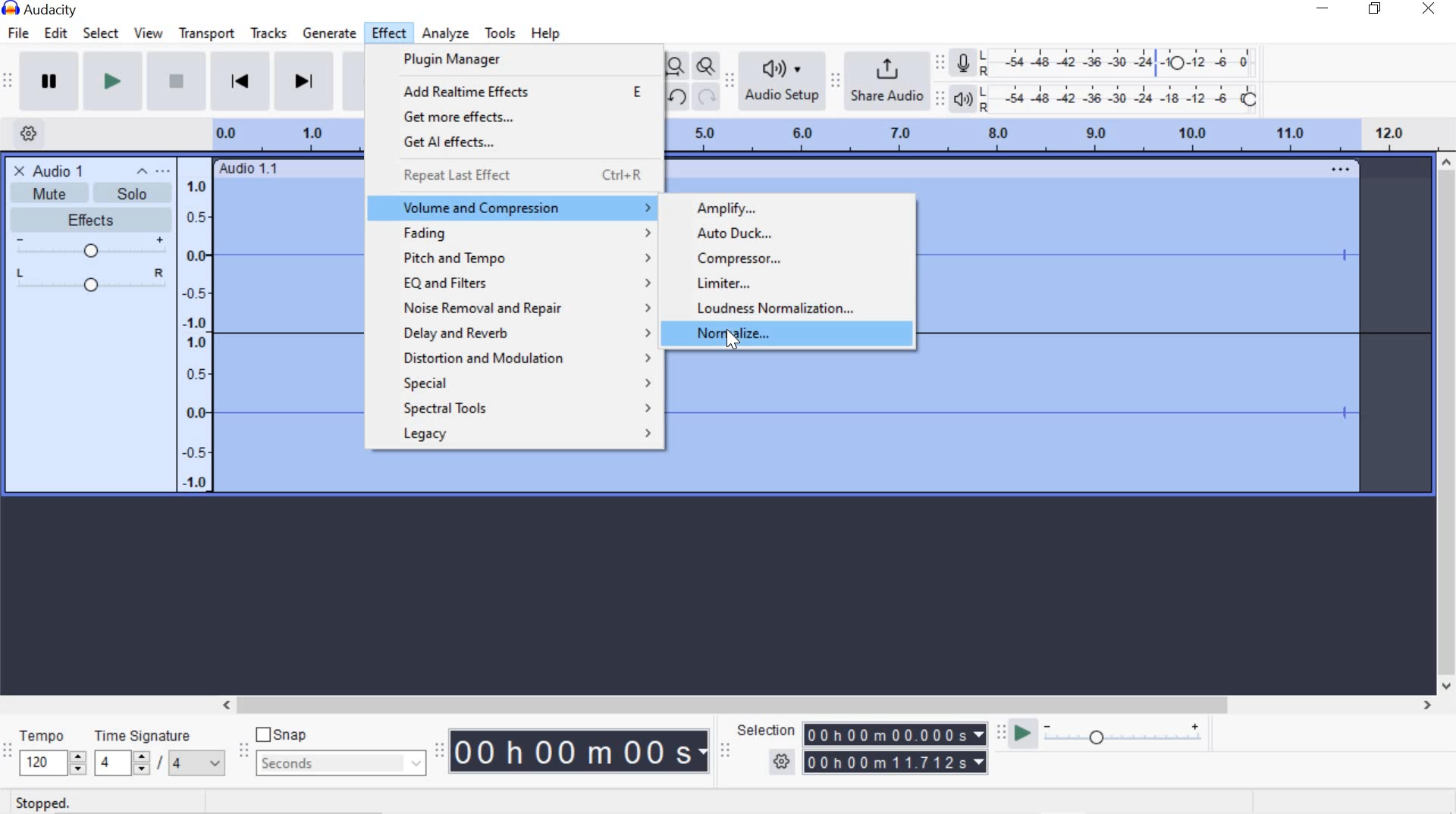 This screenshot has width=1456, height=814. What do you see at coordinates (762, 283) in the screenshot?
I see `Limiter` at bounding box center [762, 283].